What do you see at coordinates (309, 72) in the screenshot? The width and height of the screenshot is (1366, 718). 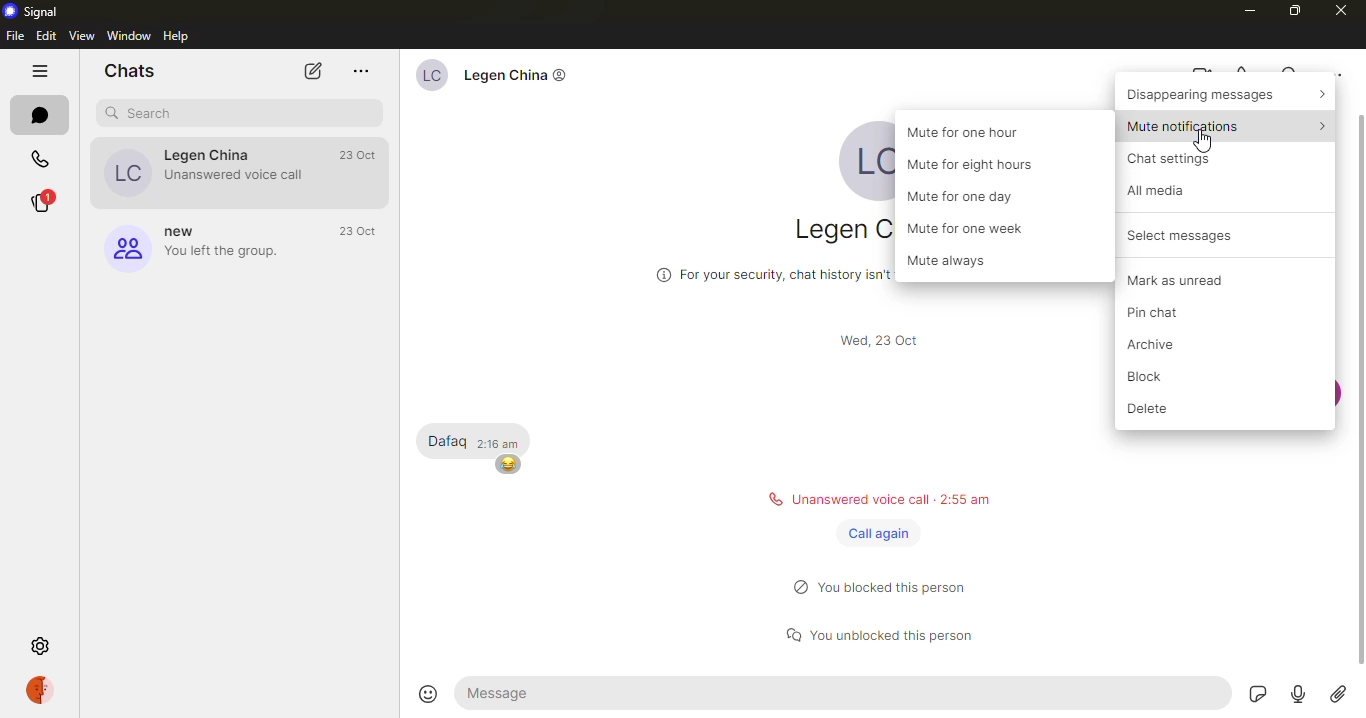 I see `new chat` at bounding box center [309, 72].